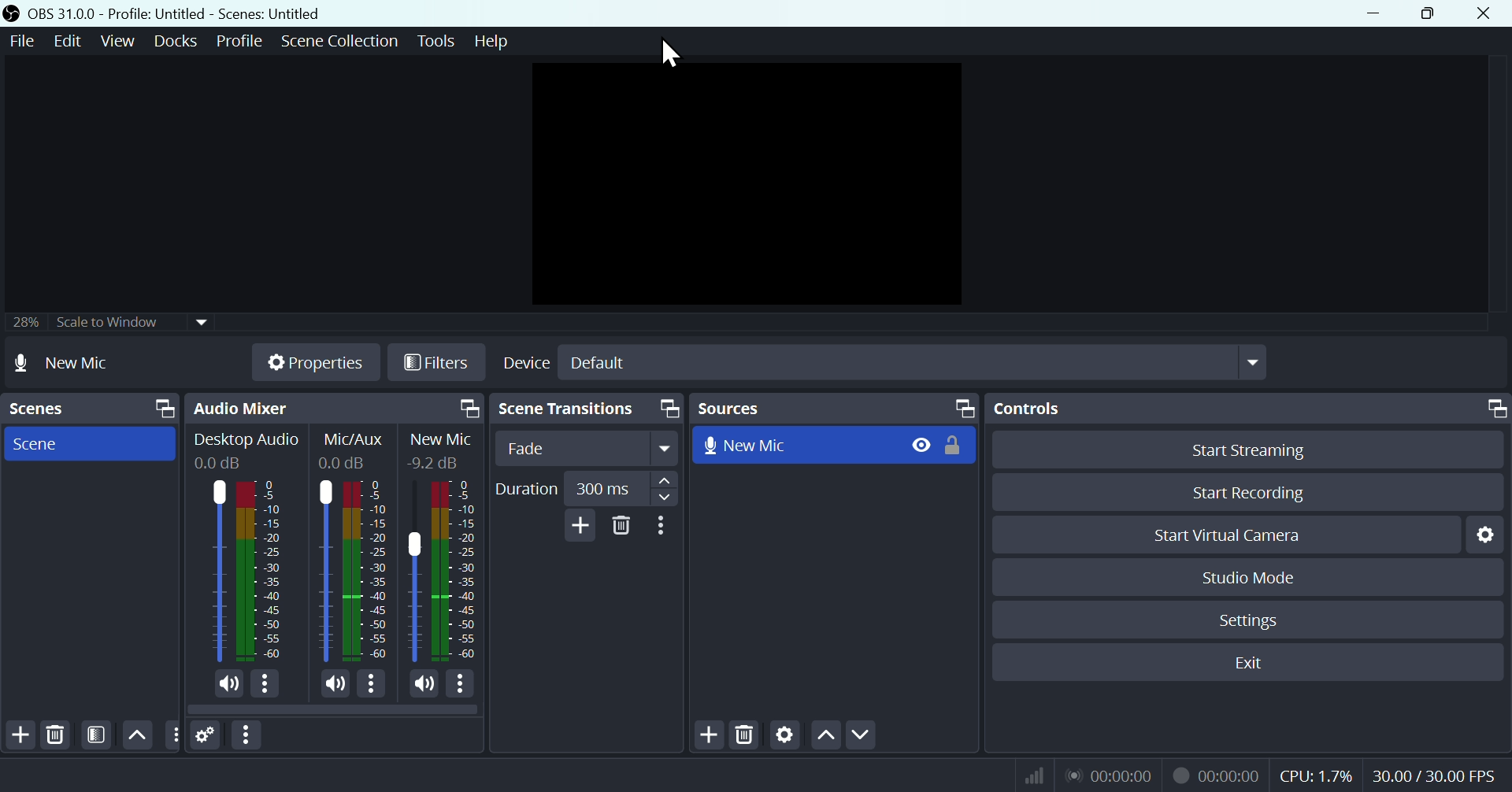 This screenshot has width=1512, height=792. I want to click on More options, so click(372, 687).